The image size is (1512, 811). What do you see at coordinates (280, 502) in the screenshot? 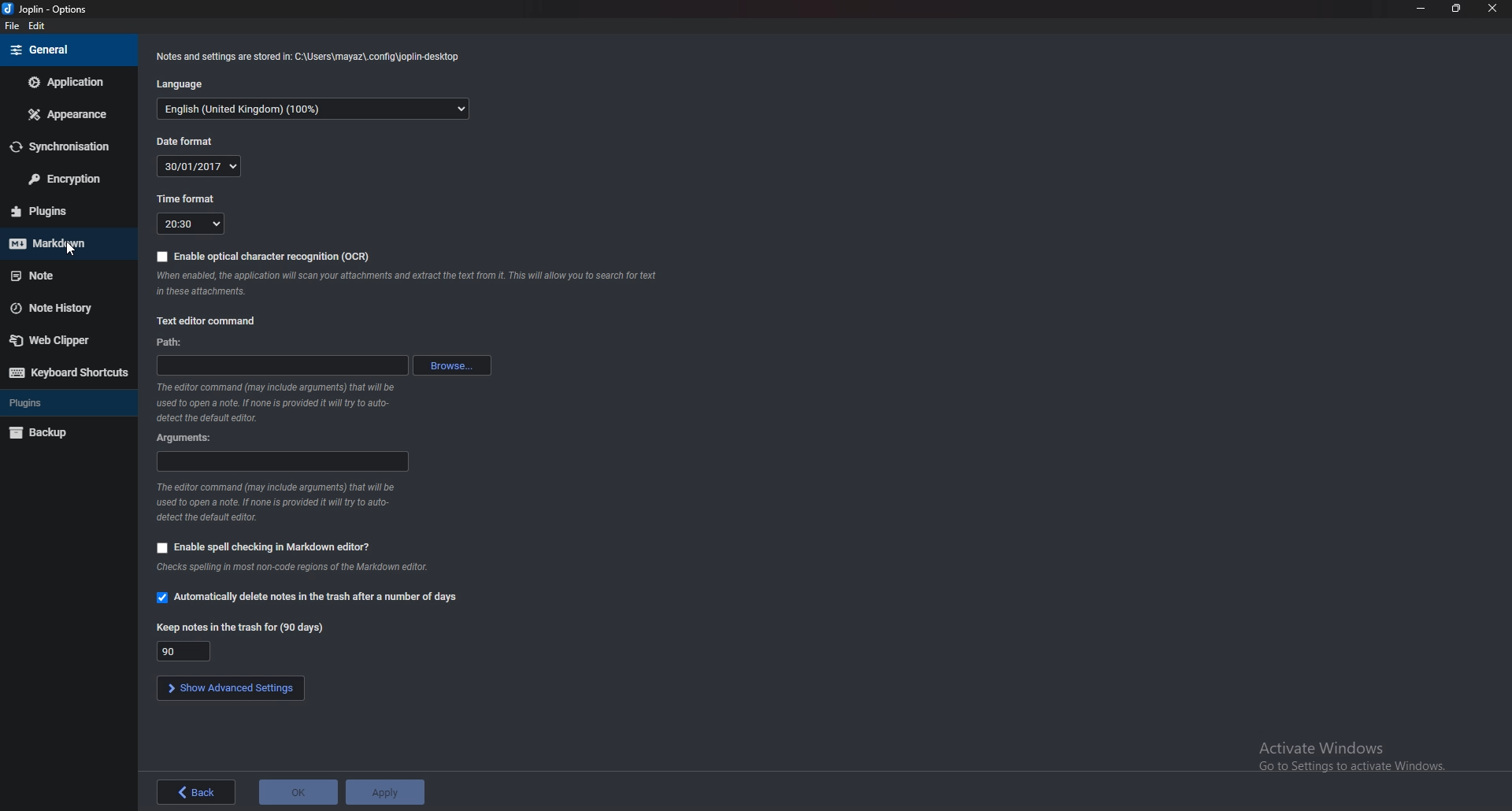
I see `info` at bounding box center [280, 502].